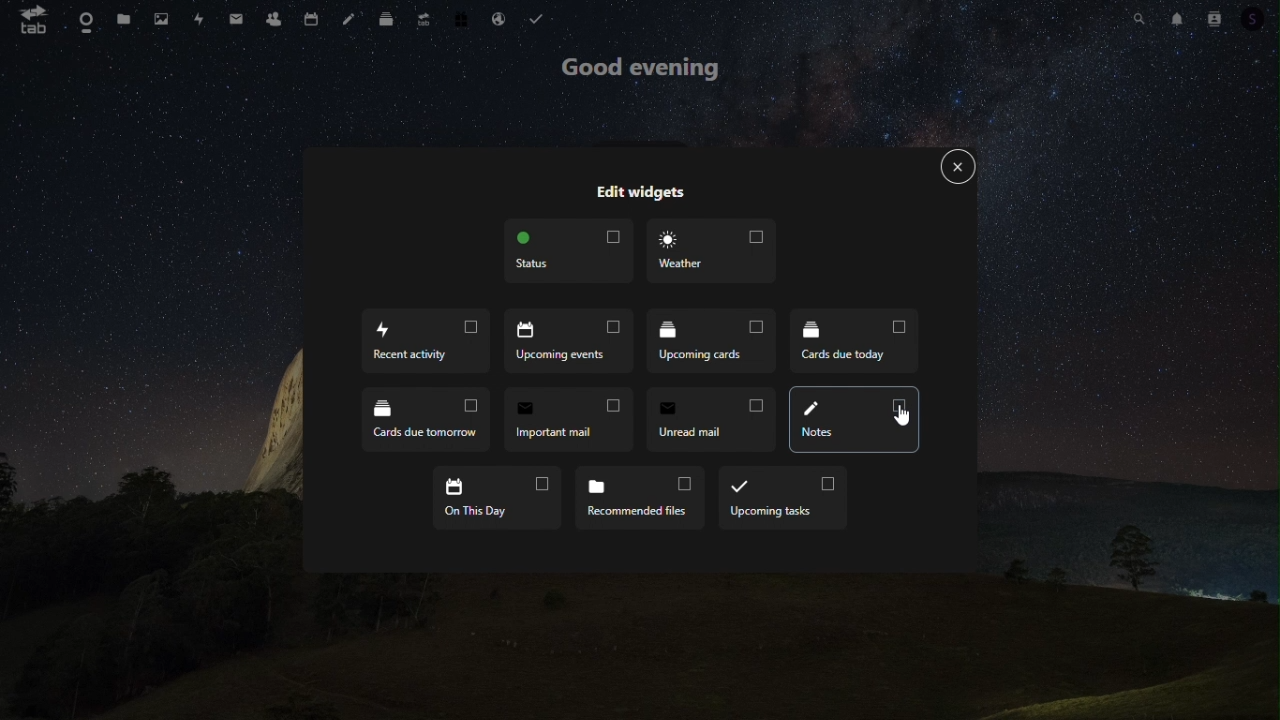  I want to click on free trial , so click(463, 20).